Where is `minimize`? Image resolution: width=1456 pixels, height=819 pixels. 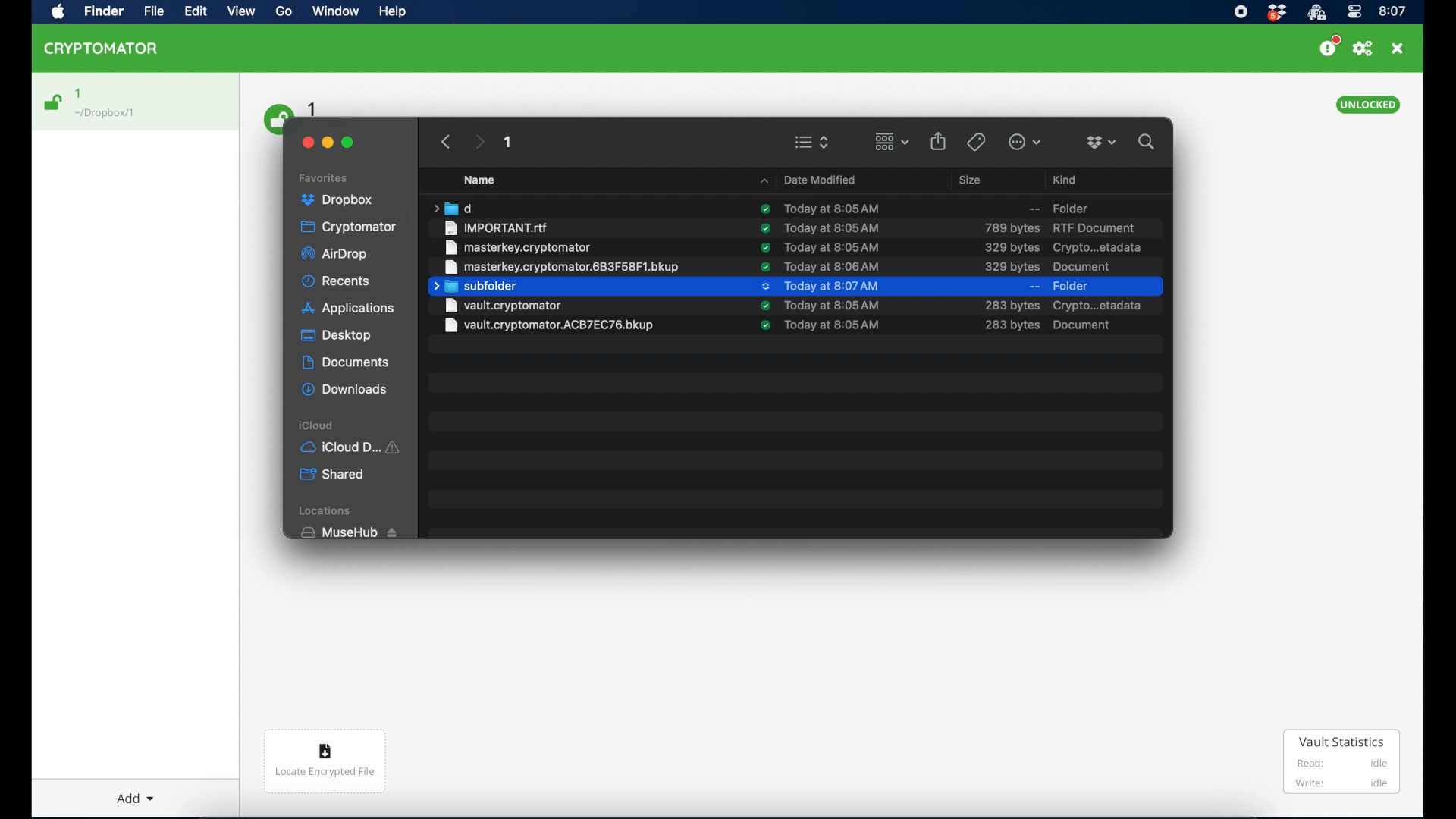
minimize is located at coordinates (329, 141).